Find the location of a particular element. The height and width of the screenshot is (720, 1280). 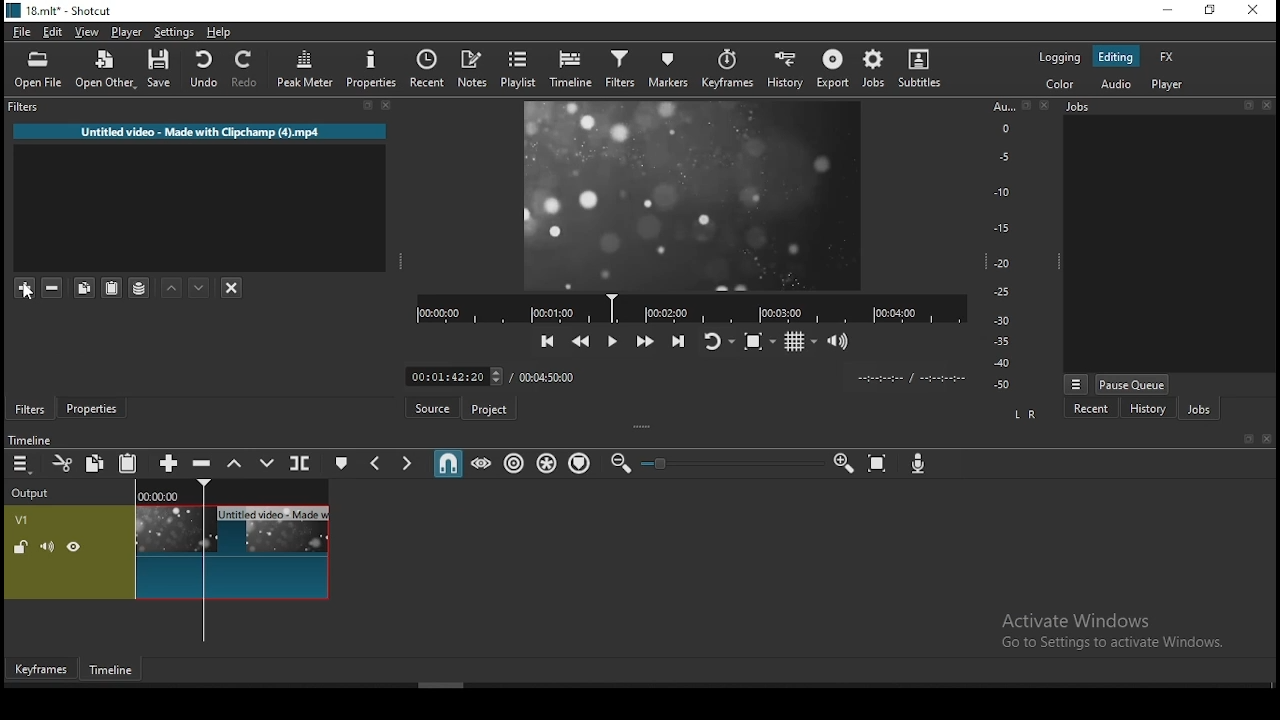

ripple is located at coordinates (513, 463).